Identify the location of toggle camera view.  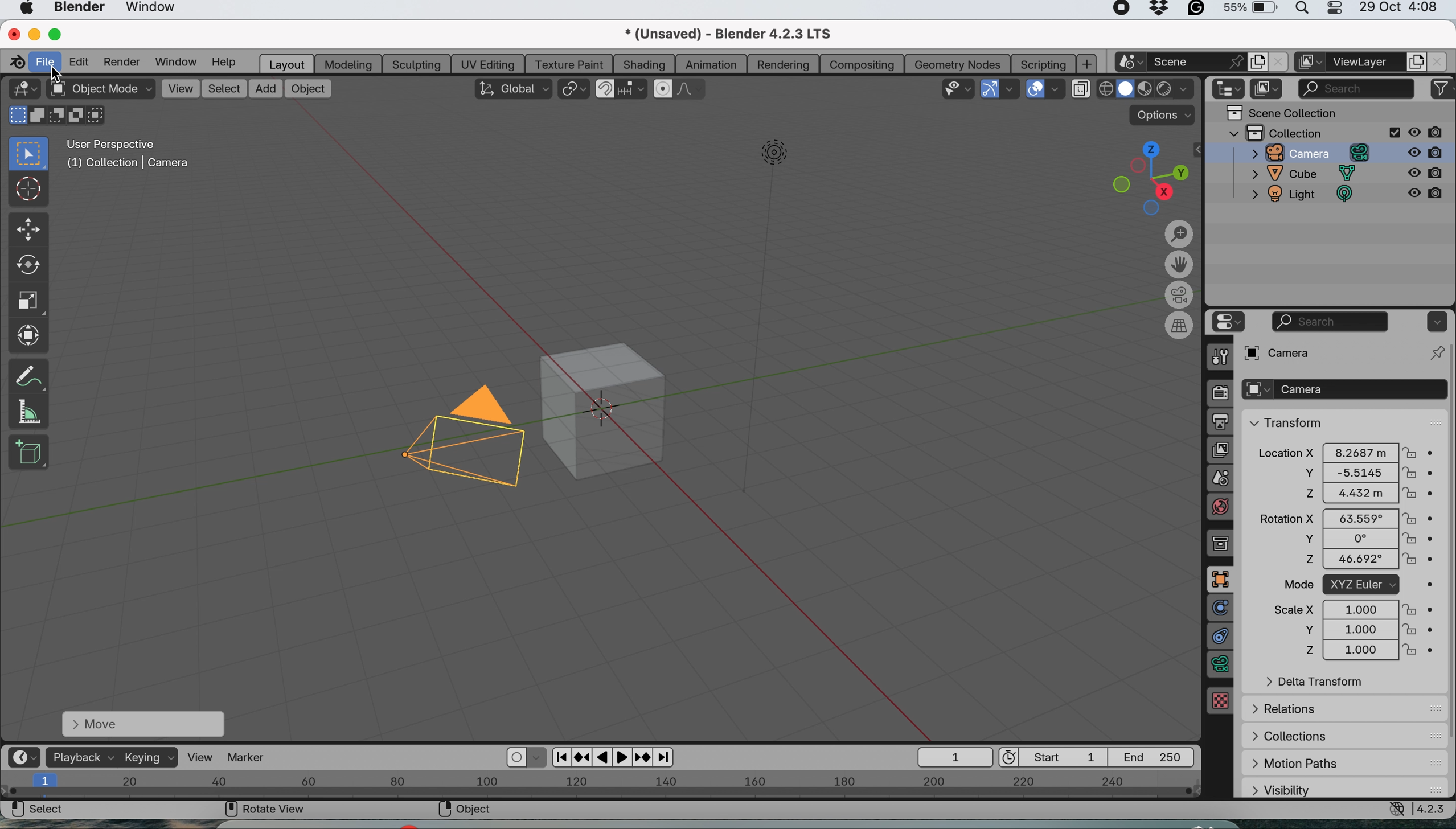
(1179, 295).